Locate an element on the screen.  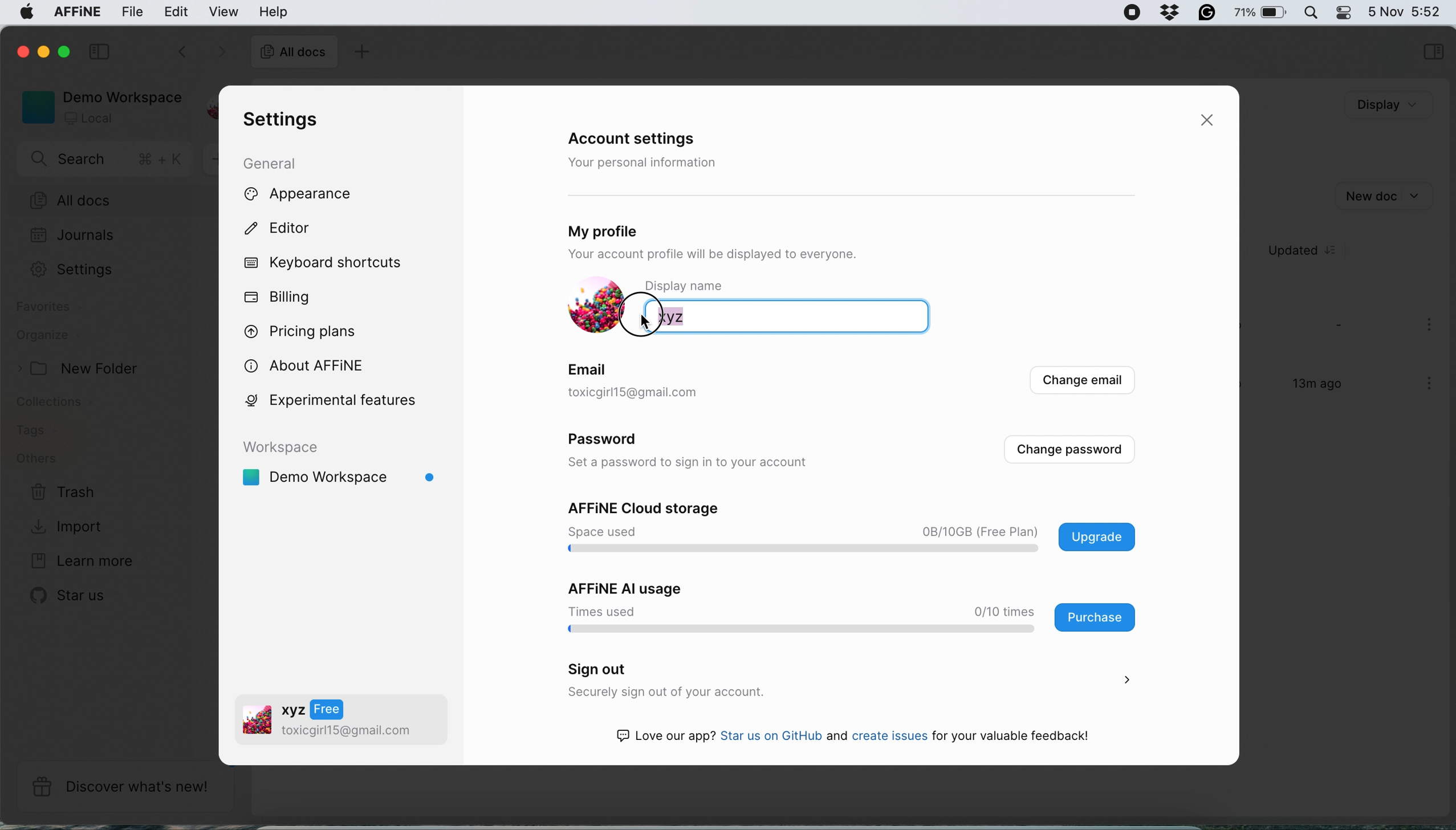
star us is located at coordinates (71, 595).